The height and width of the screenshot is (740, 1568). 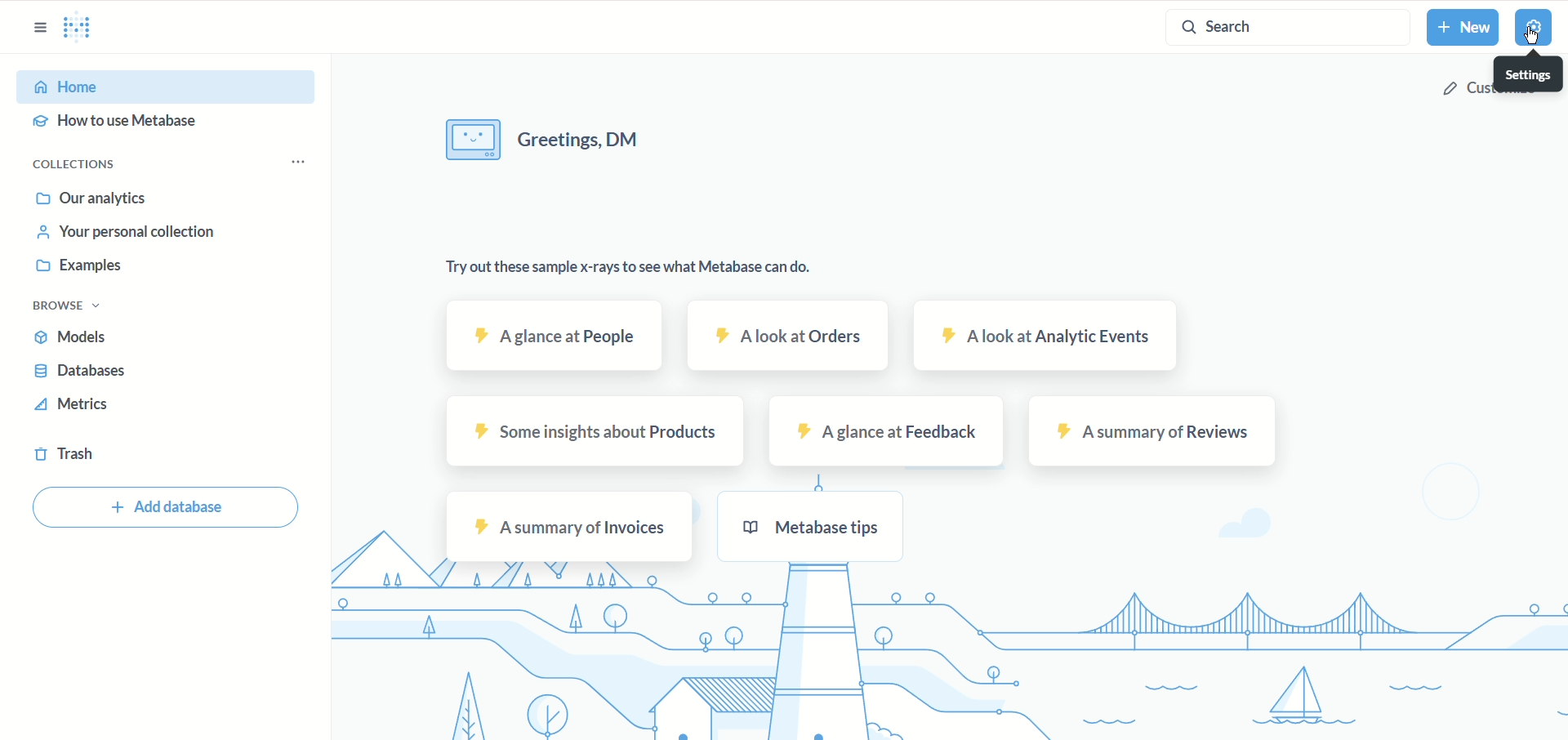 I want to click on a look at Orders, so click(x=788, y=336).